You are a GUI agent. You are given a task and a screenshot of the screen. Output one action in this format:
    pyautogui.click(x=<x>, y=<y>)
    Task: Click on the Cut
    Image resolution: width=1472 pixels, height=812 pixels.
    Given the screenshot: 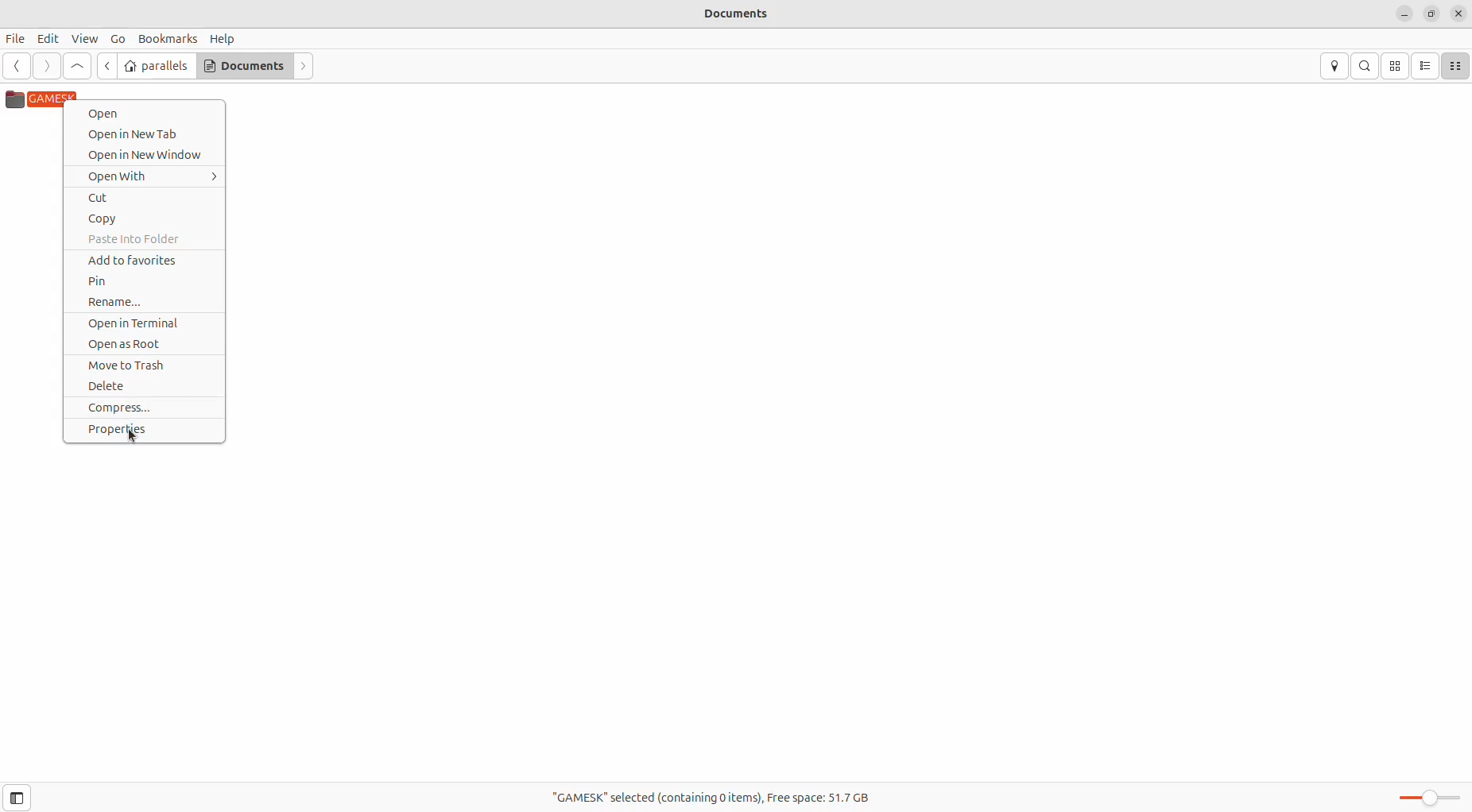 What is the action you would take?
    pyautogui.click(x=146, y=196)
    